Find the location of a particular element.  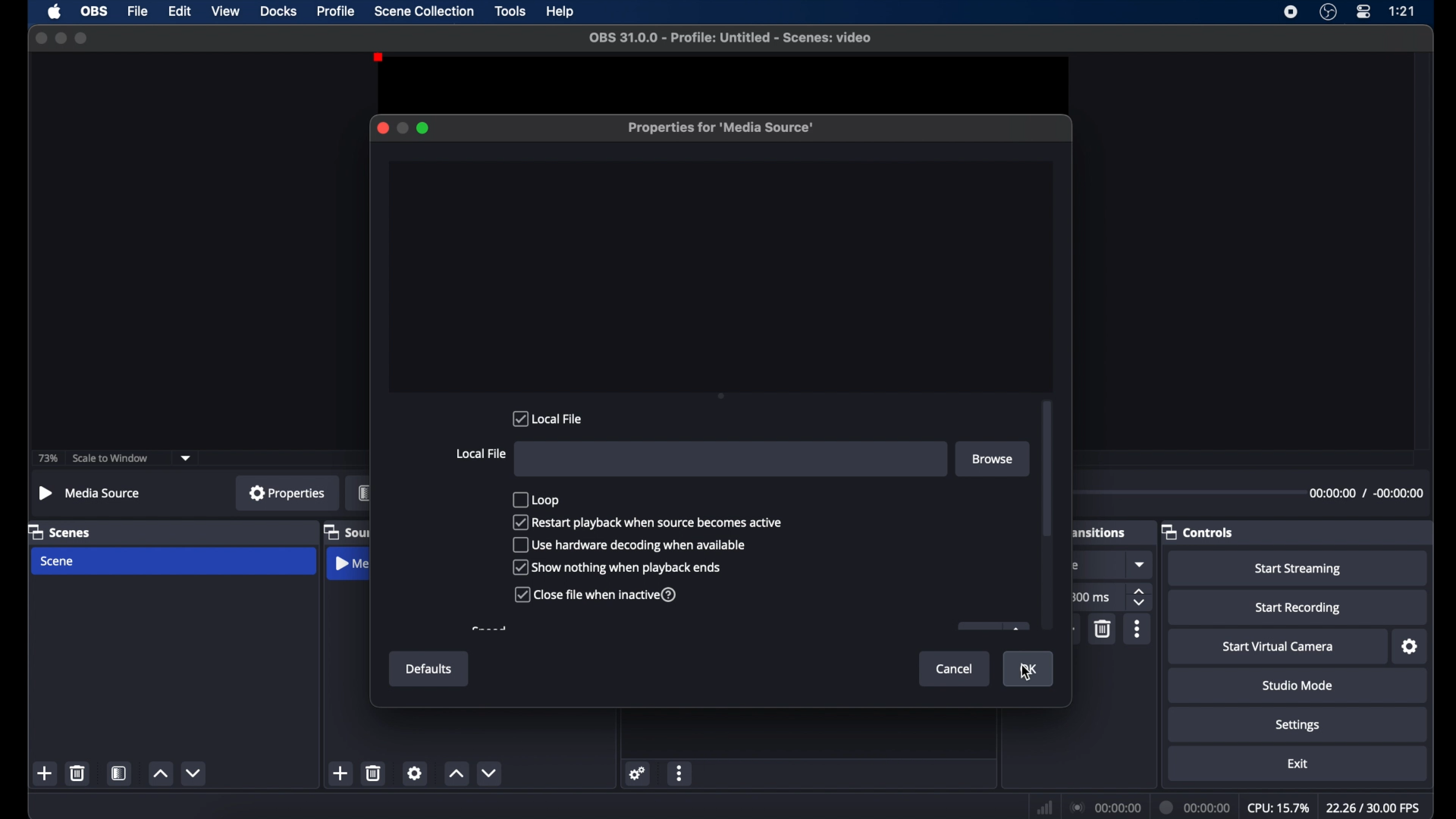

apple icon is located at coordinates (54, 11).